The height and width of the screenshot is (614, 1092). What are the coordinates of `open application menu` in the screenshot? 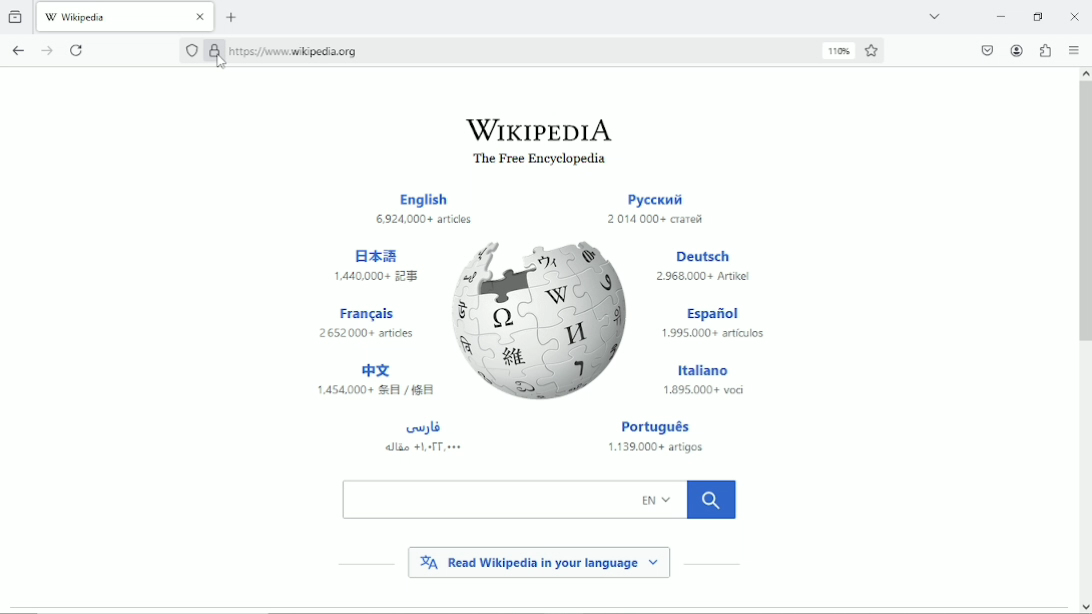 It's located at (1073, 50).